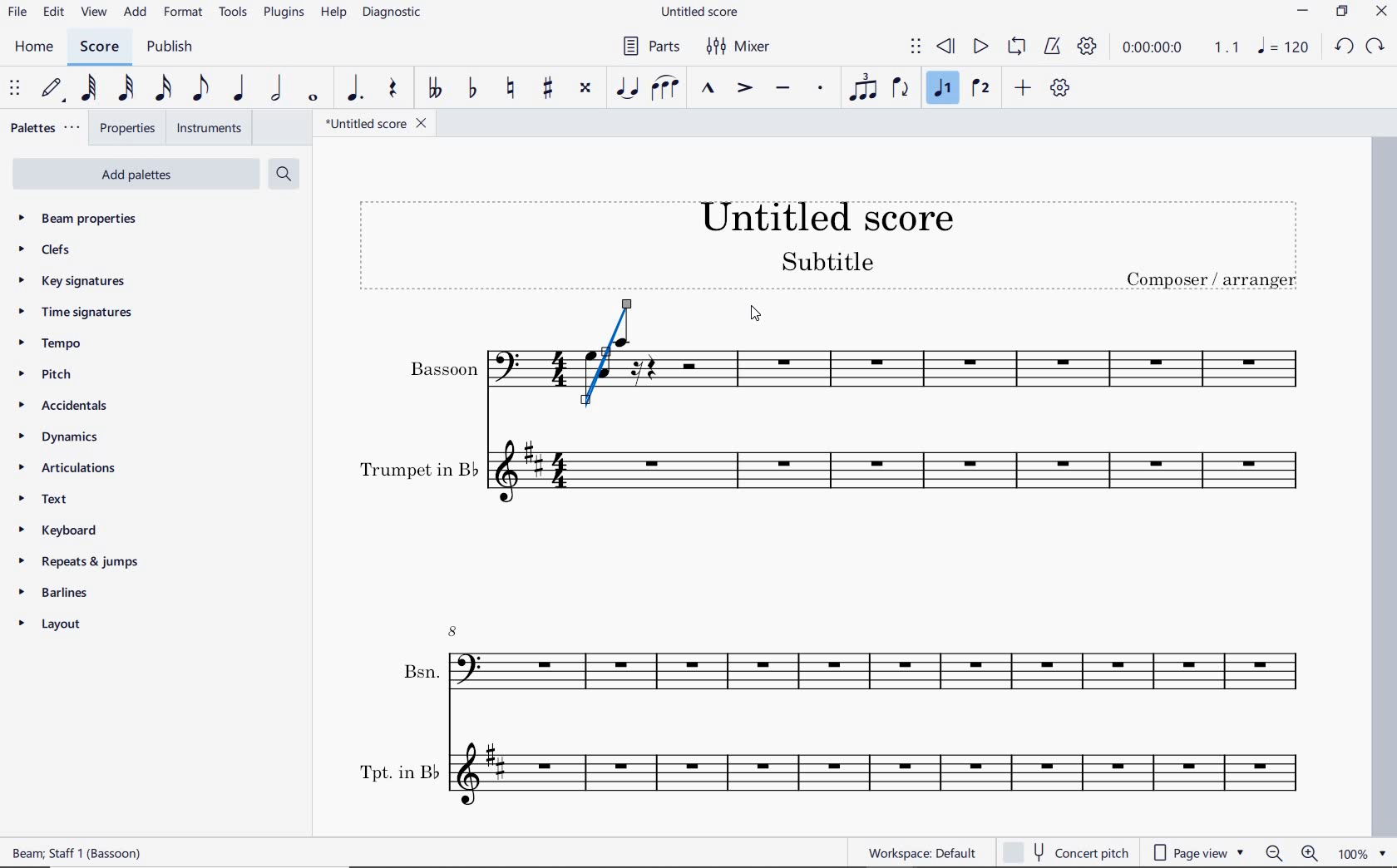 The height and width of the screenshot is (868, 1397). What do you see at coordinates (164, 90) in the screenshot?
I see `16th note` at bounding box center [164, 90].